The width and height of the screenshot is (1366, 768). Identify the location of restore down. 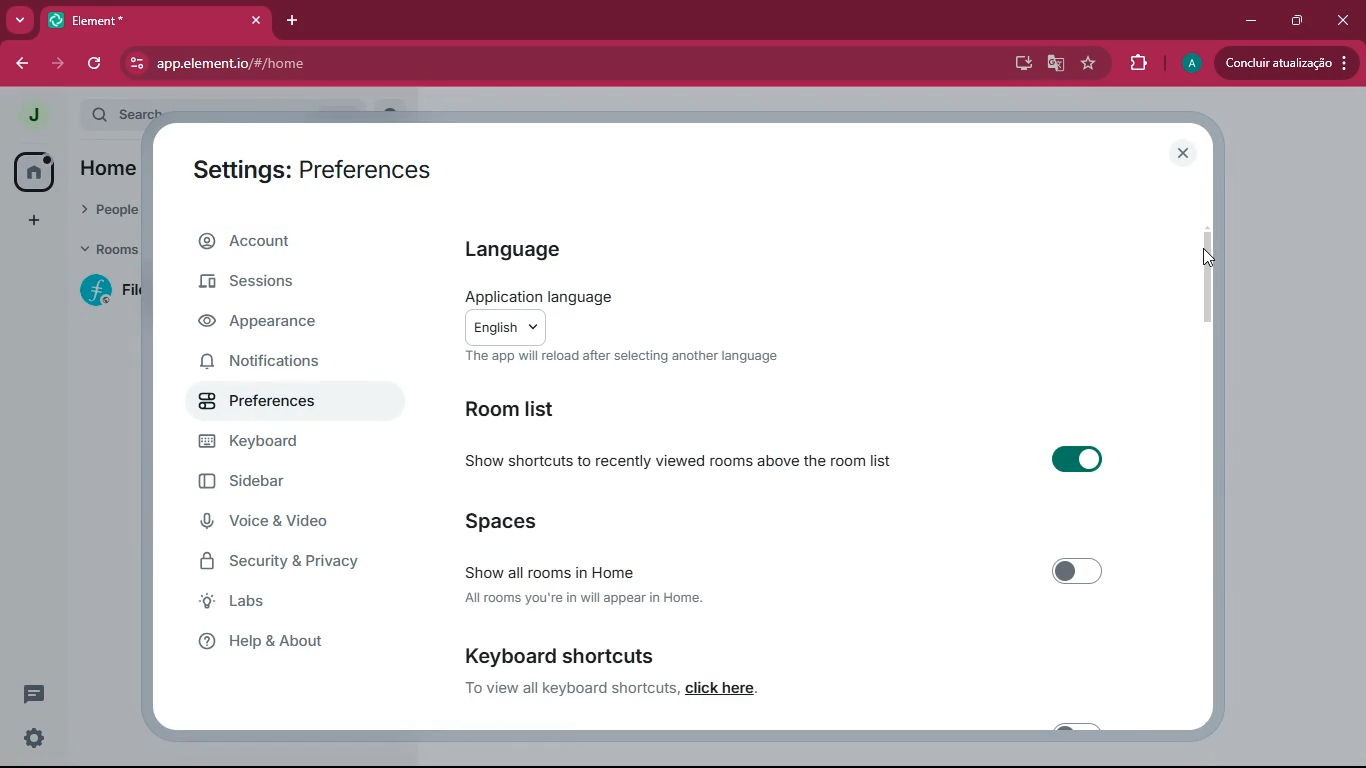
(1294, 21).